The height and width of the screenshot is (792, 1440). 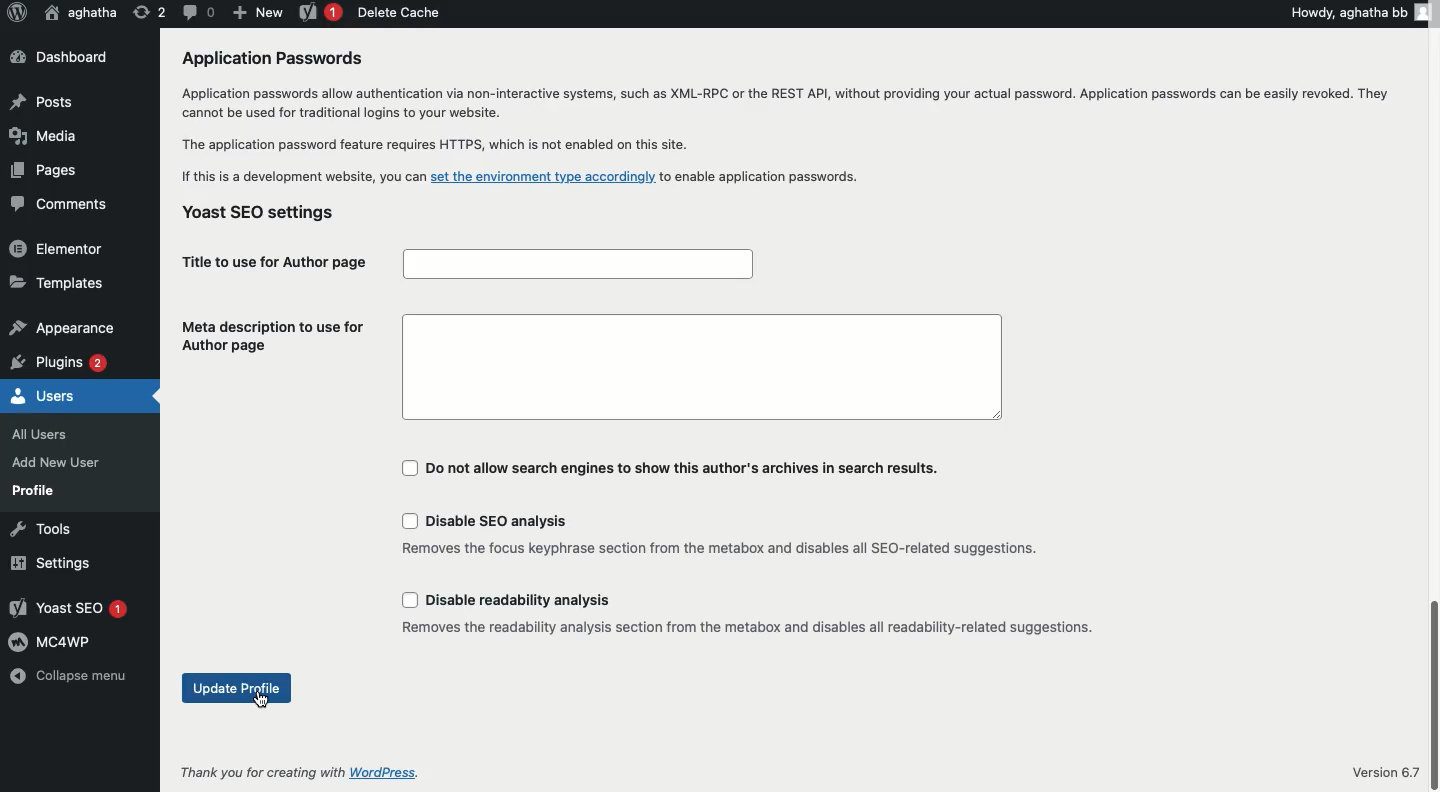 What do you see at coordinates (262, 705) in the screenshot?
I see `Cursor` at bounding box center [262, 705].